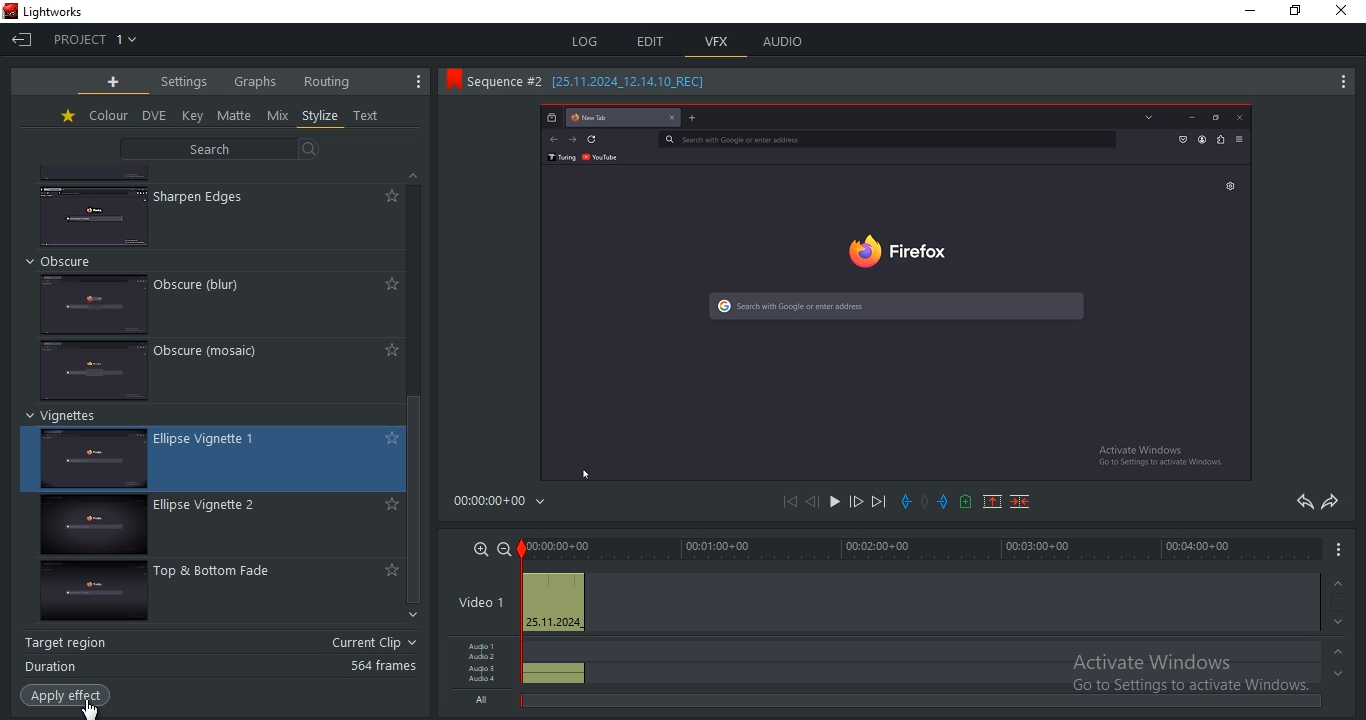 This screenshot has height=720, width=1366. What do you see at coordinates (225, 573) in the screenshot?
I see `Top & bottom fade` at bounding box center [225, 573].